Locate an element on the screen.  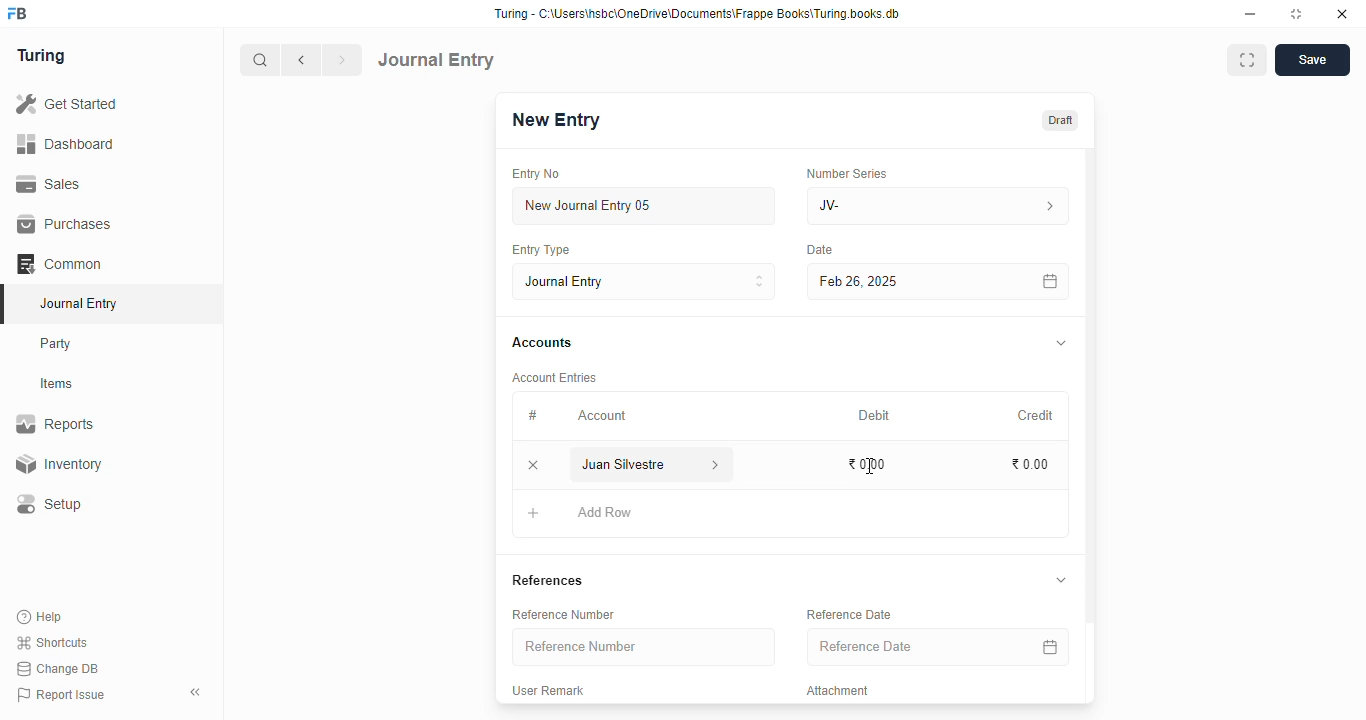
# is located at coordinates (533, 415).